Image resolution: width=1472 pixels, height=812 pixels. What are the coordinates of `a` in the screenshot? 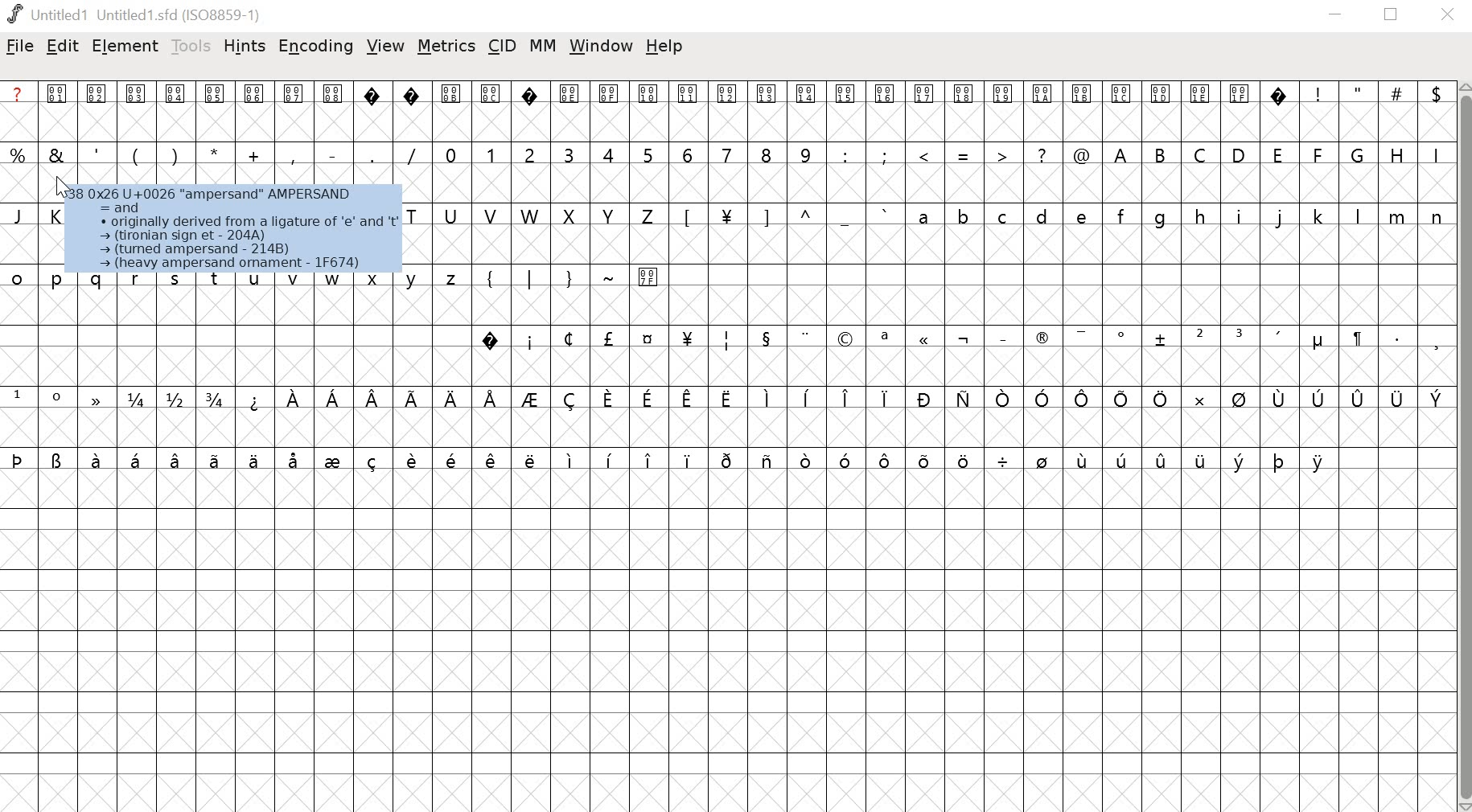 It's located at (926, 215).